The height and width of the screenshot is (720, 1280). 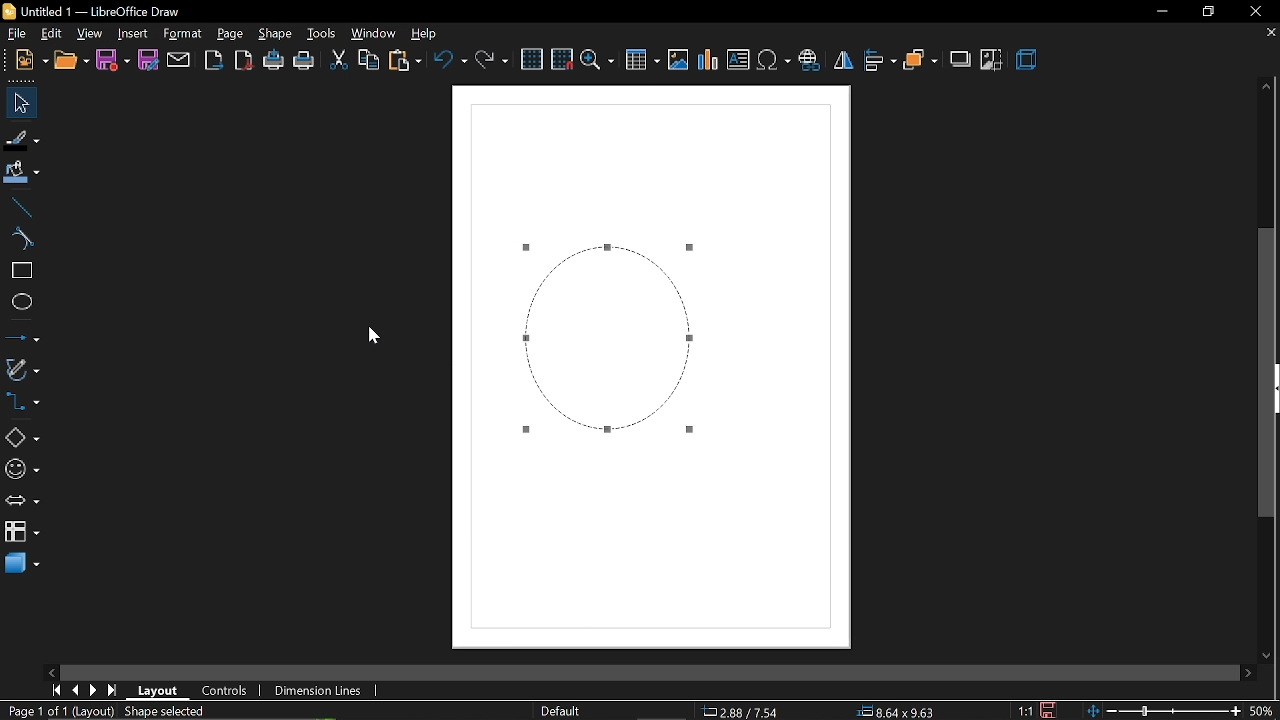 What do you see at coordinates (223, 690) in the screenshot?
I see `controls` at bounding box center [223, 690].